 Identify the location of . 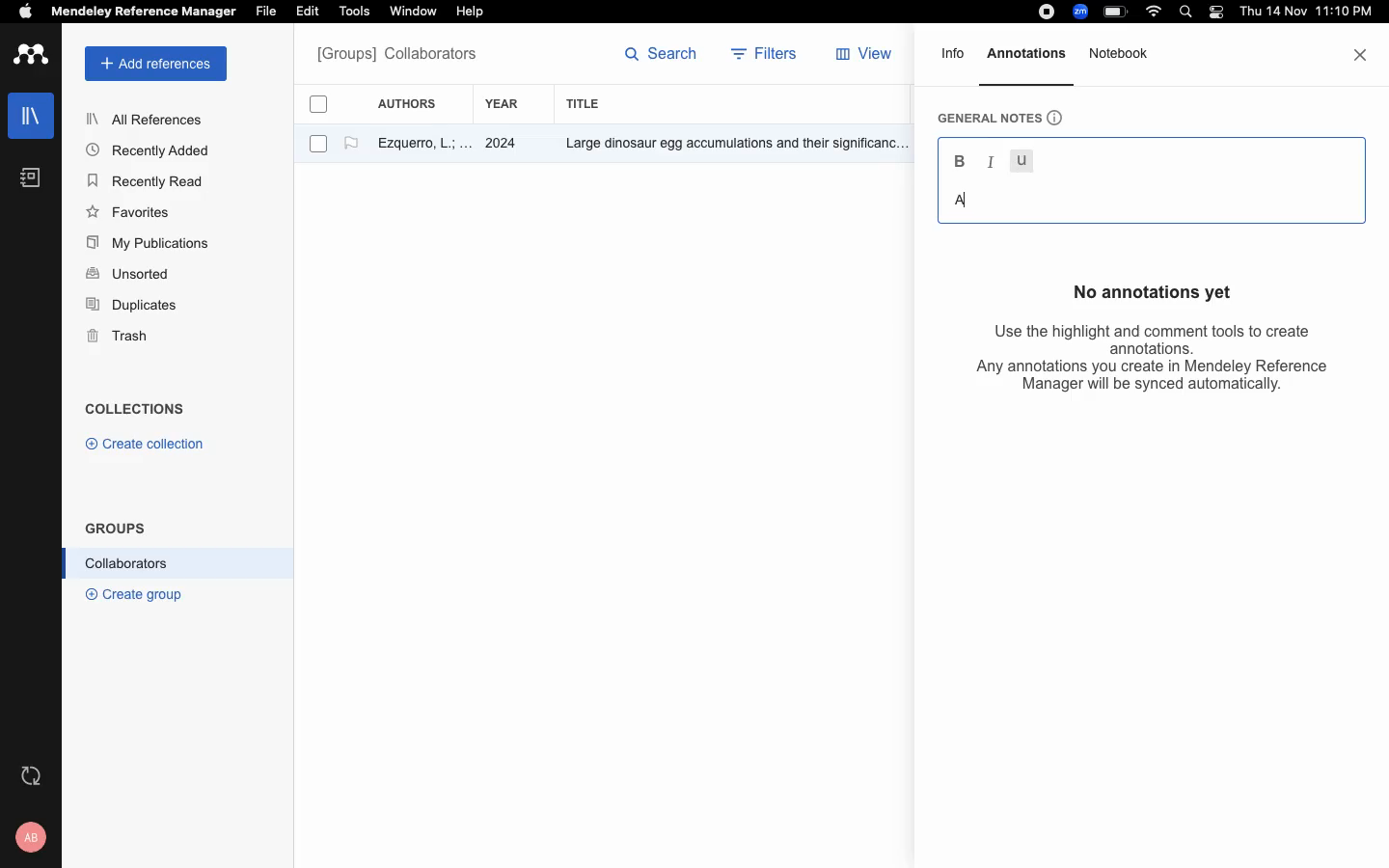
(728, 145).